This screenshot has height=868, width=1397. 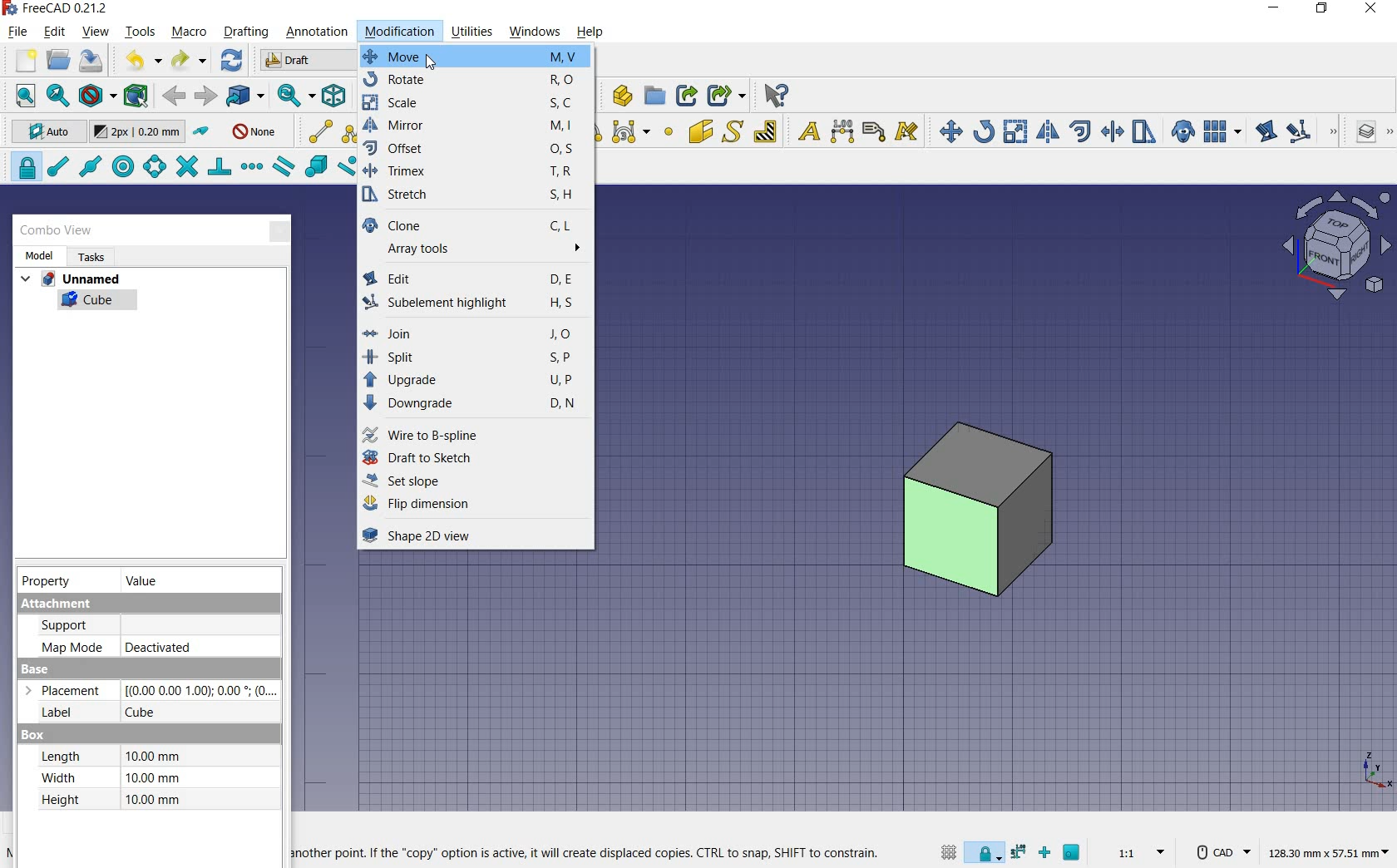 What do you see at coordinates (669, 133) in the screenshot?
I see `point` at bounding box center [669, 133].